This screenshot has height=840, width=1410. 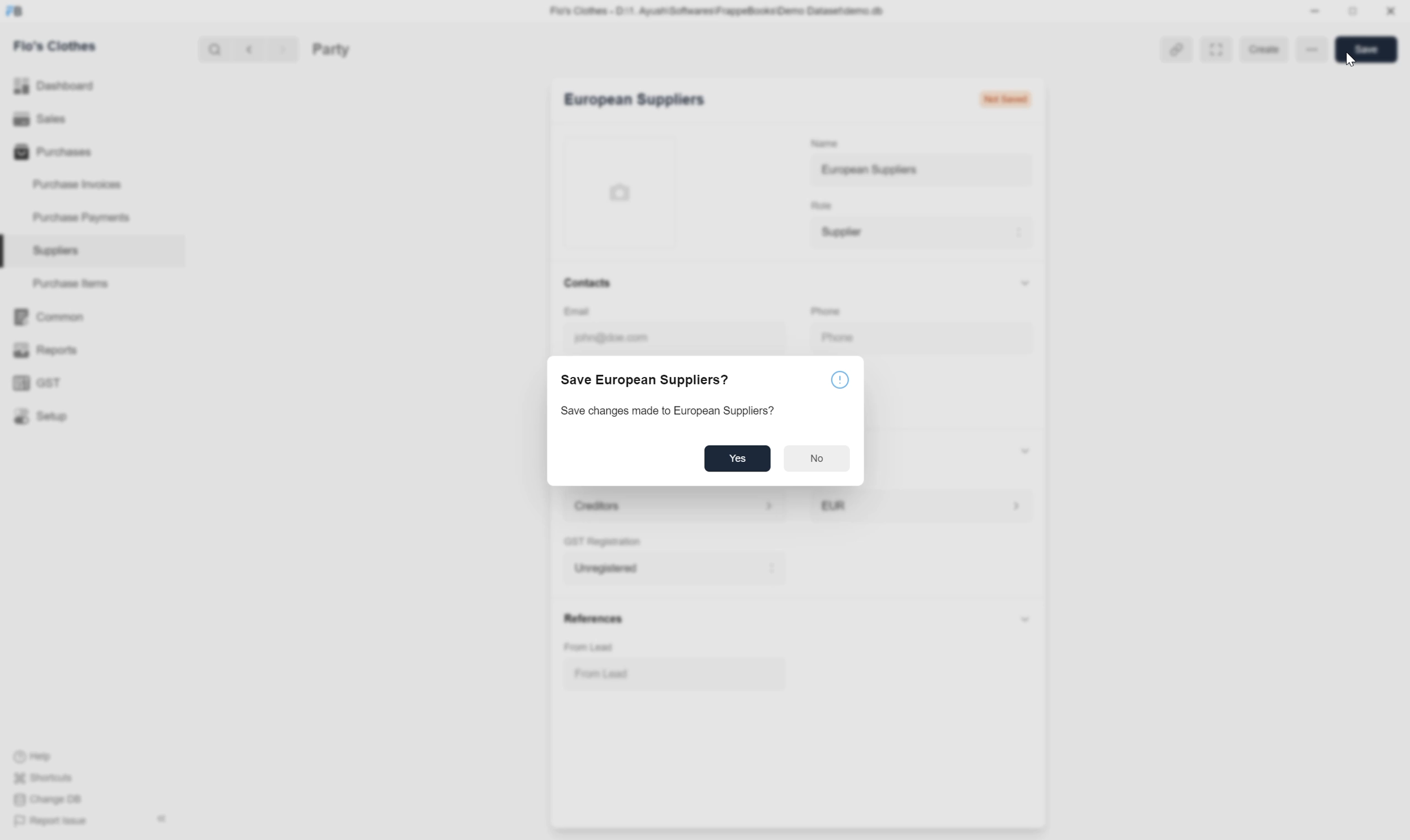 What do you see at coordinates (1391, 13) in the screenshot?
I see `close` at bounding box center [1391, 13].